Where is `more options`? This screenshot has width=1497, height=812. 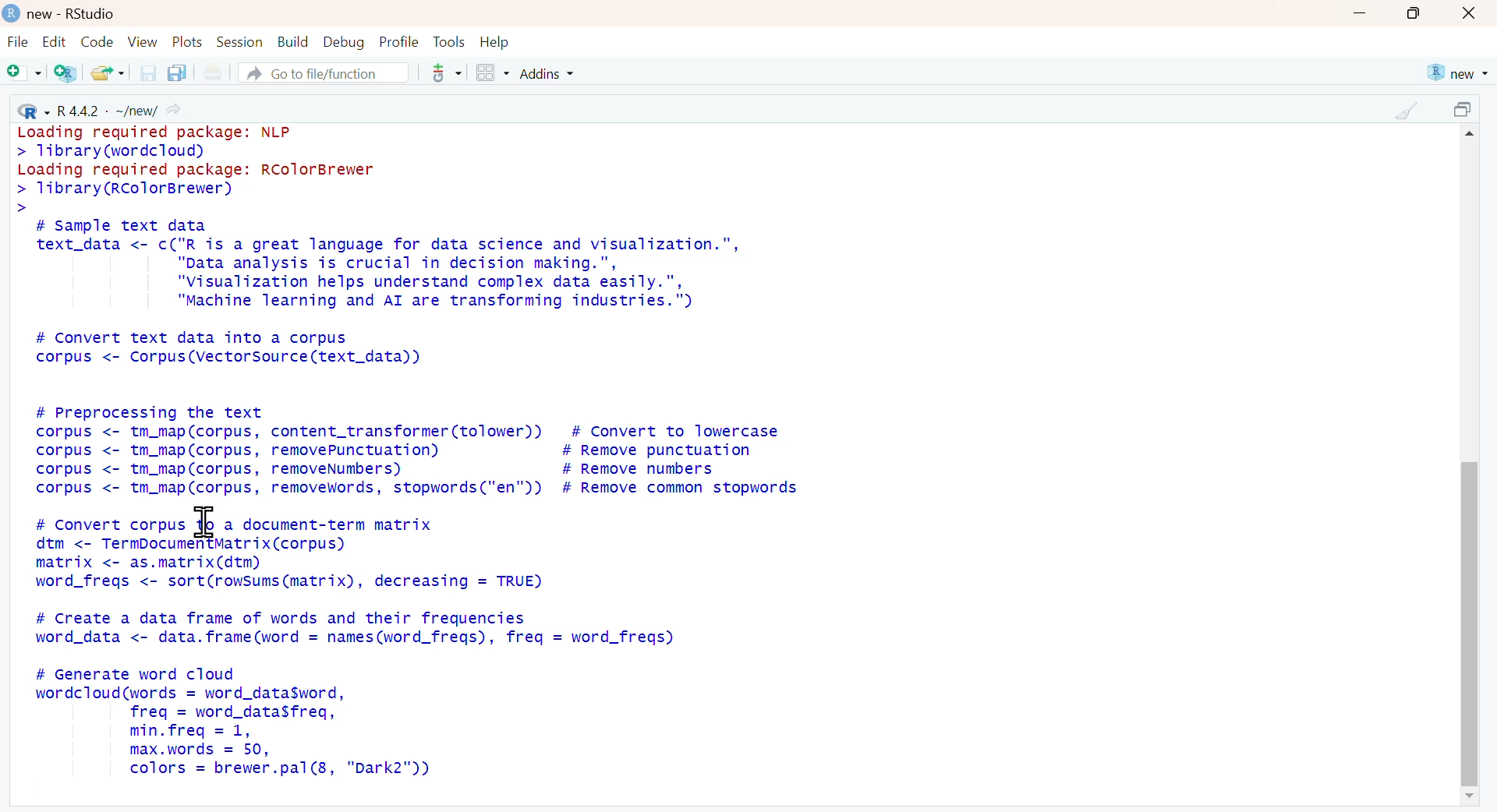 more options is located at coordinates (445, 72).